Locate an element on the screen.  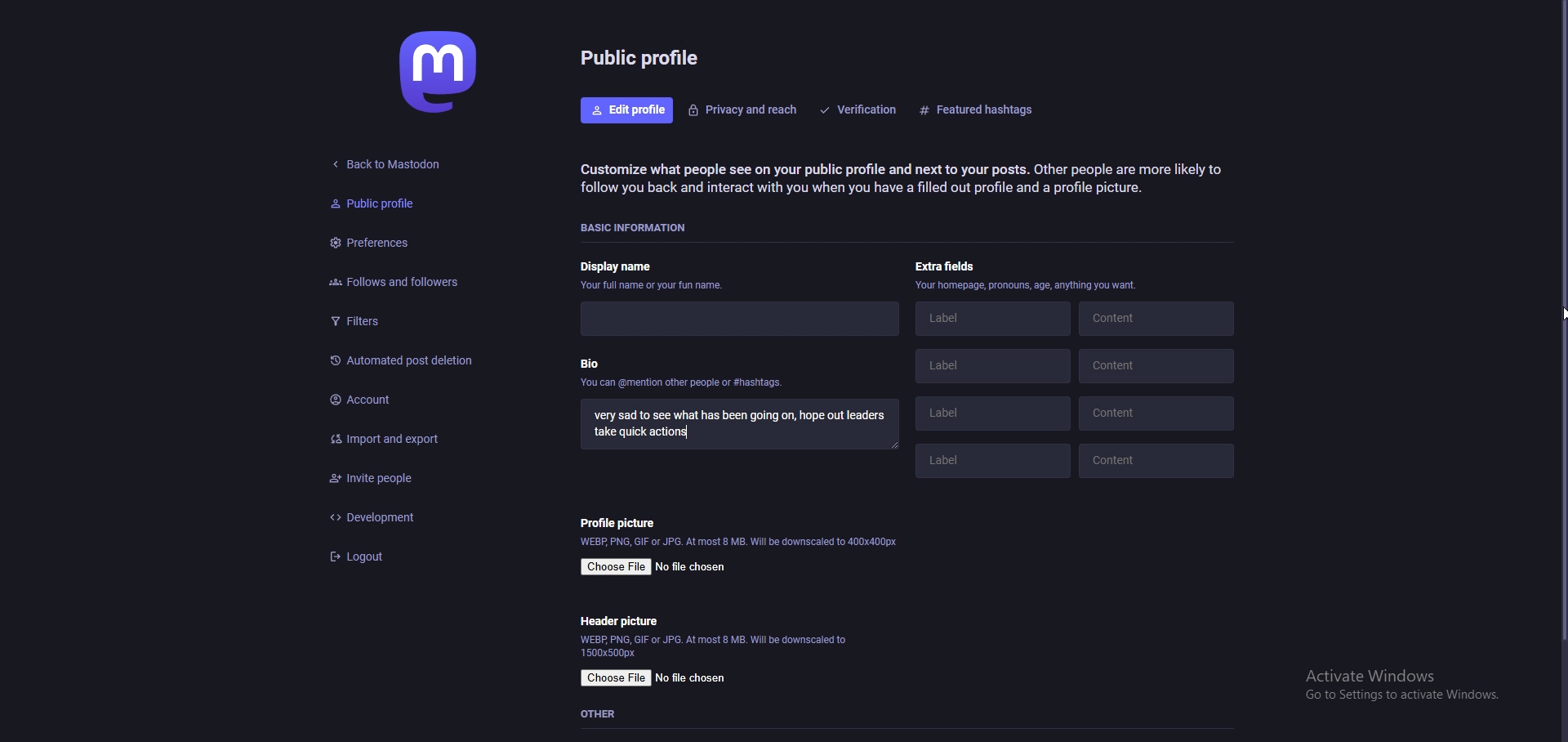
basic info is located at coordinates (637, 229).